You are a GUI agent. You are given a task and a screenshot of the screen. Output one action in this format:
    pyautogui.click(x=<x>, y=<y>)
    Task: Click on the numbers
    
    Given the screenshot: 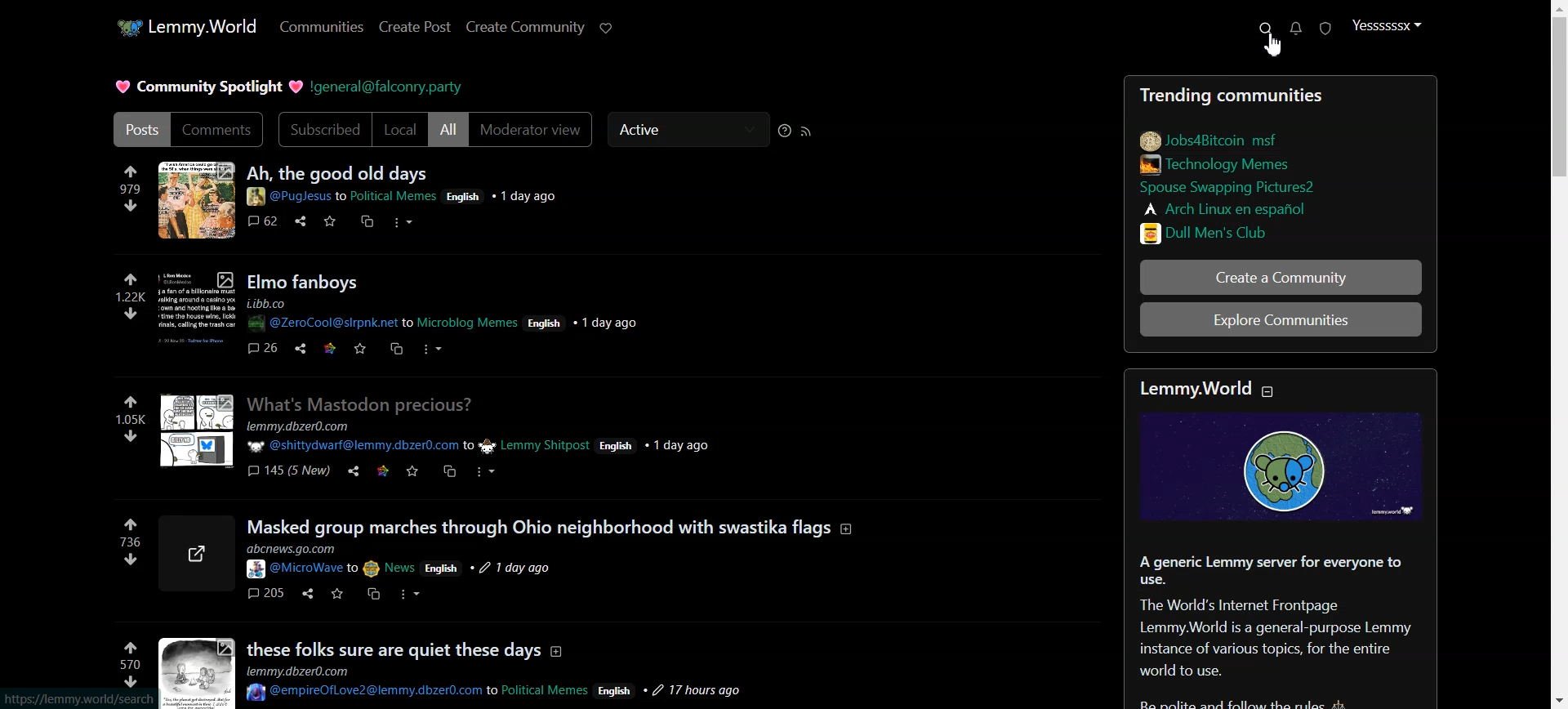 What is the action you would take?
    pyautogui.click(x=130, y=417)
    